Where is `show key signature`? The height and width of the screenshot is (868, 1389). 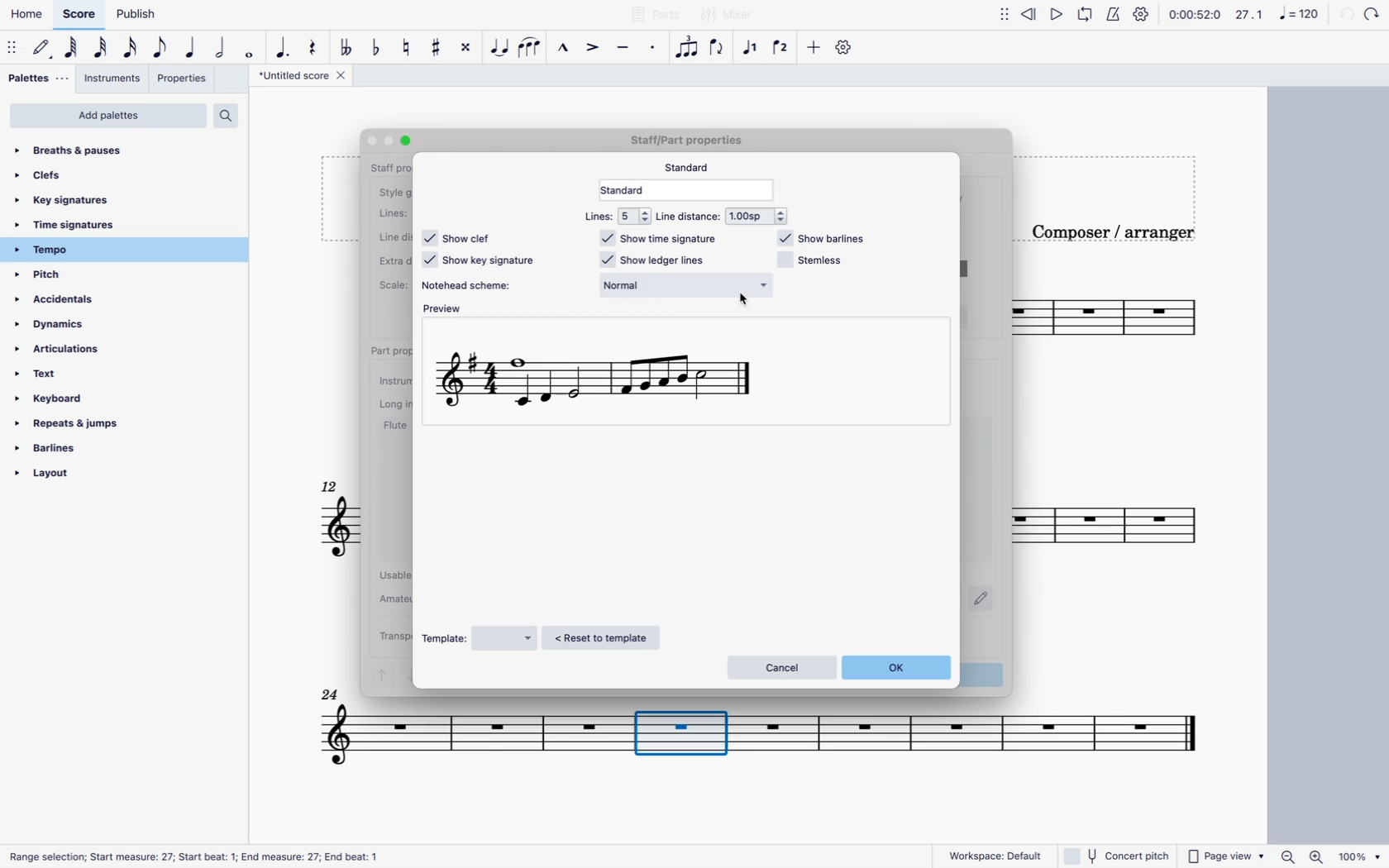 show key signature is located at coordinates (480, 261).